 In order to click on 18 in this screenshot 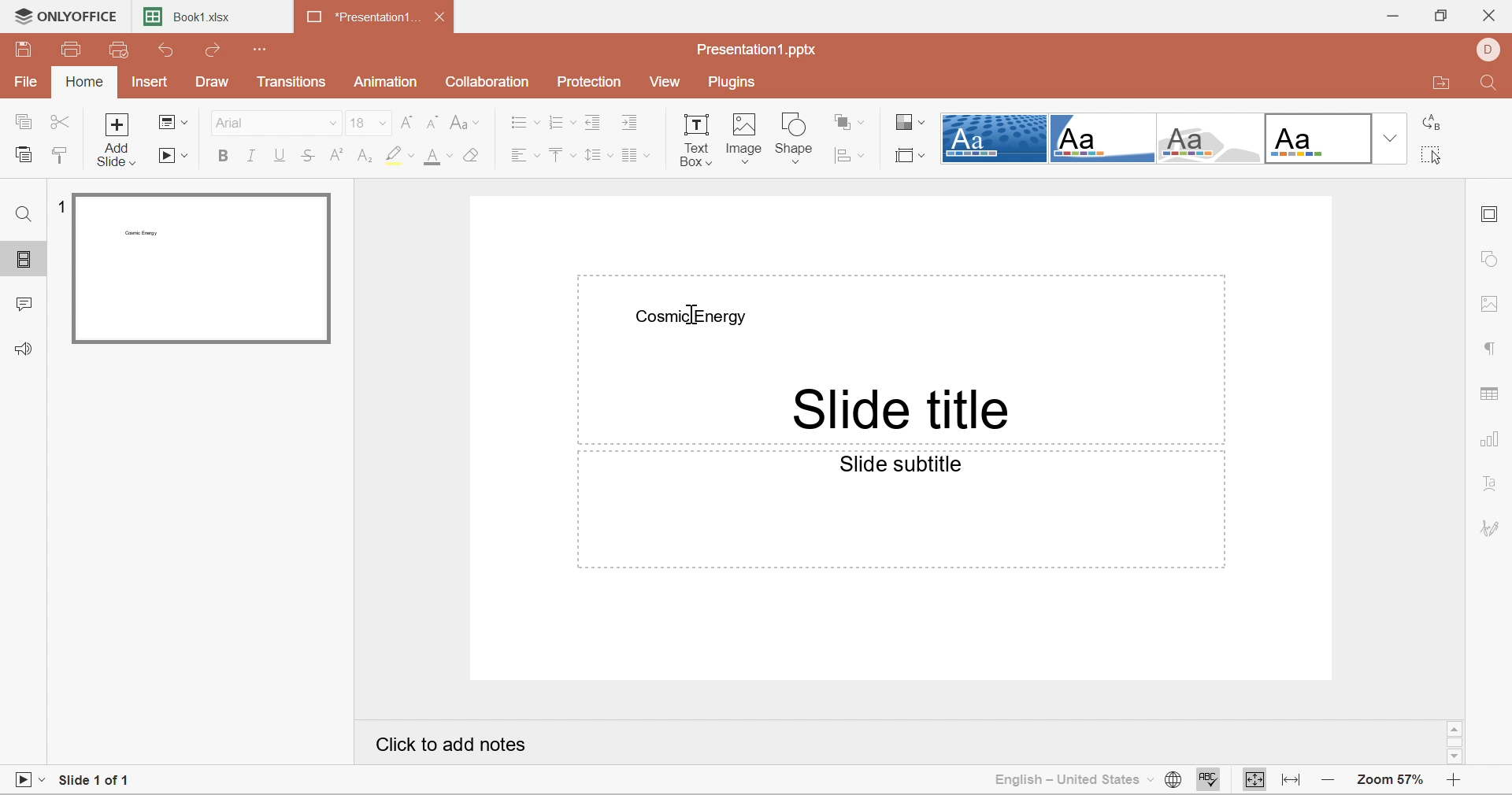, I will do `click(367, 123)`.